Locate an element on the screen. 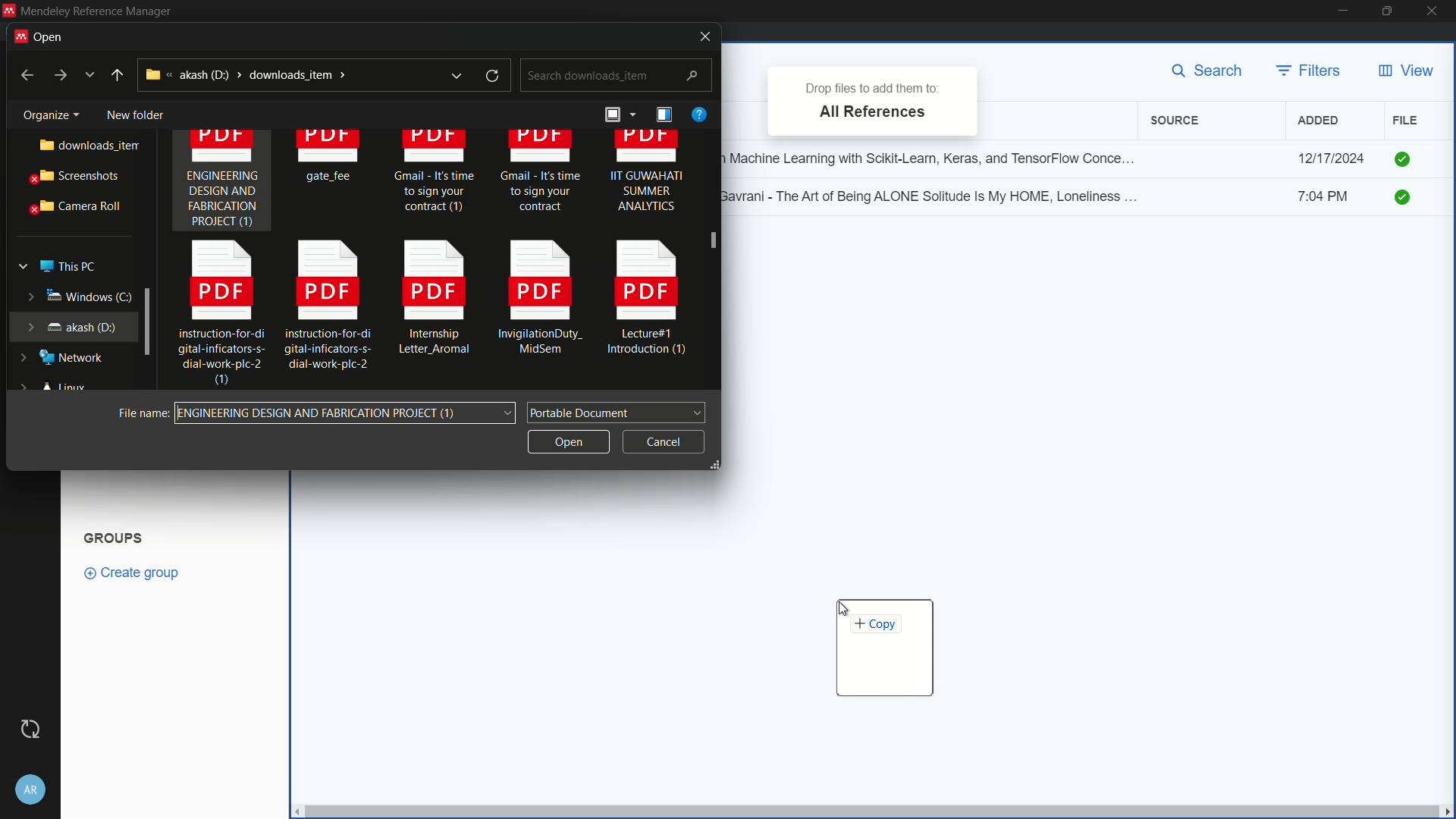  windows (c:) is located at coordinates (68, 296).